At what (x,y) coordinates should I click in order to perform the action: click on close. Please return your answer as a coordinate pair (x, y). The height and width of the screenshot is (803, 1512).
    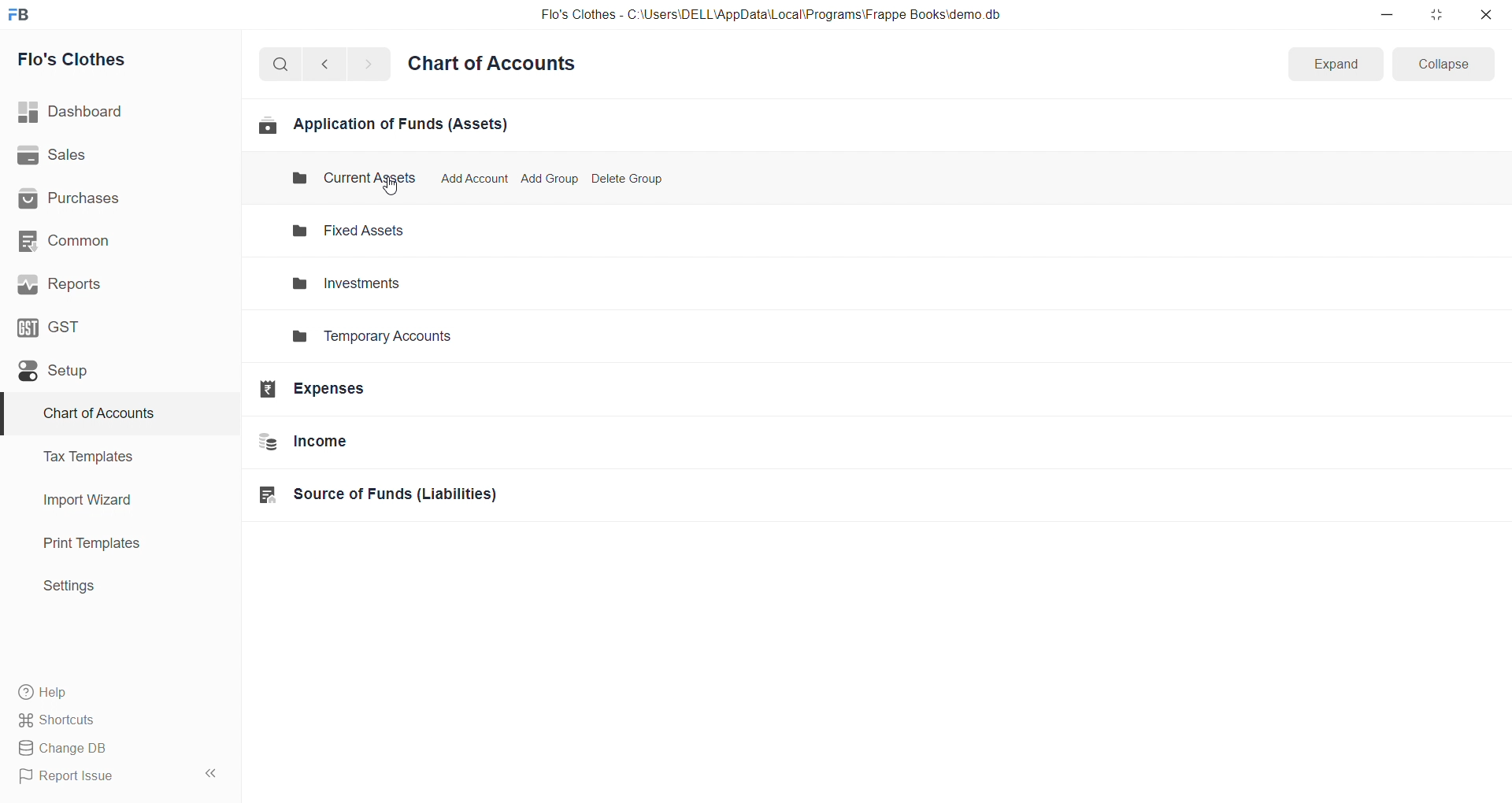
    Looking at the image, I should click on (1485, 14).